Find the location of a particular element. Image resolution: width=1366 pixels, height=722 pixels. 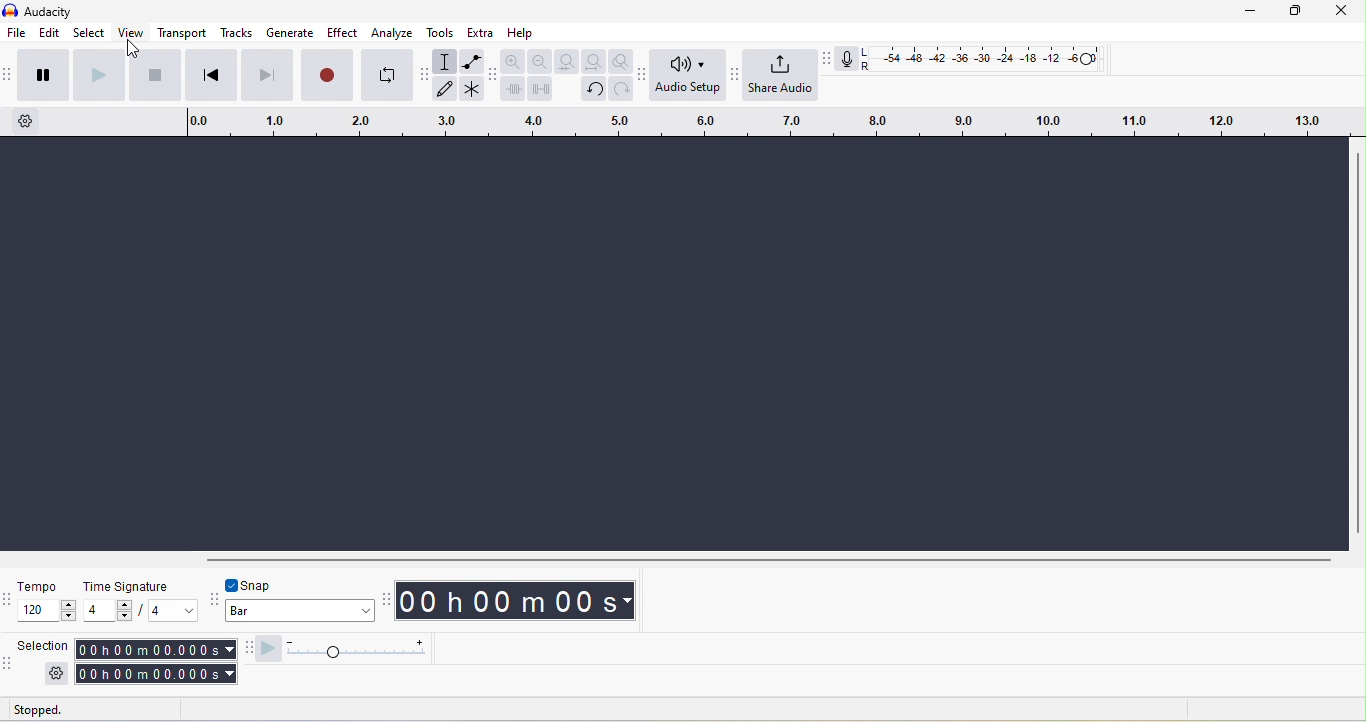

zoom tool is located at coordinates (620, 61).